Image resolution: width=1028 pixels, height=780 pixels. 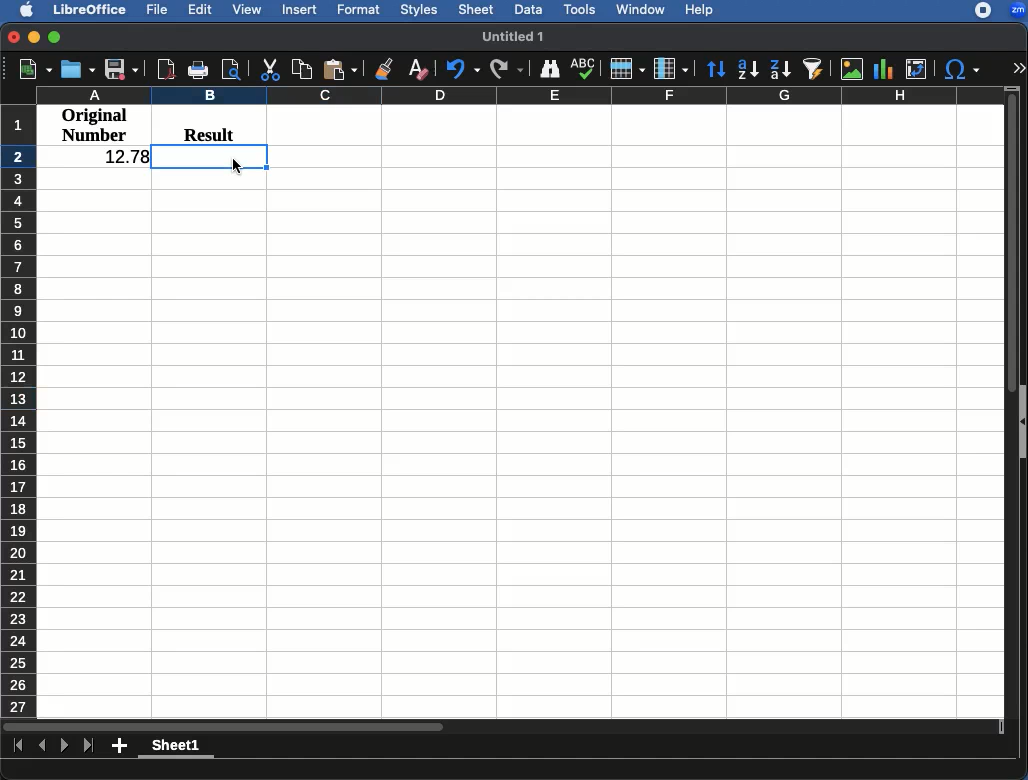 I want to click on Redo, so click(x=507, y=70).